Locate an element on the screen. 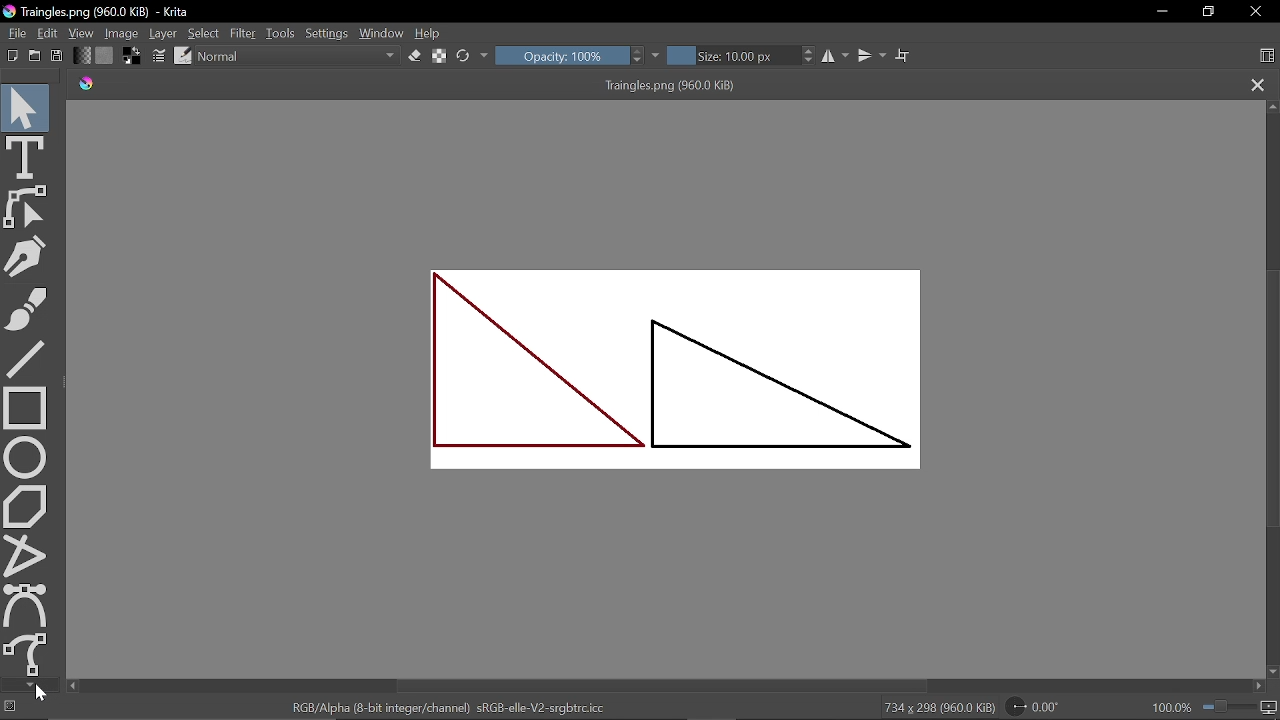 This screenshot has width=1280, height=720. move left is located at coordinates (72, 686).